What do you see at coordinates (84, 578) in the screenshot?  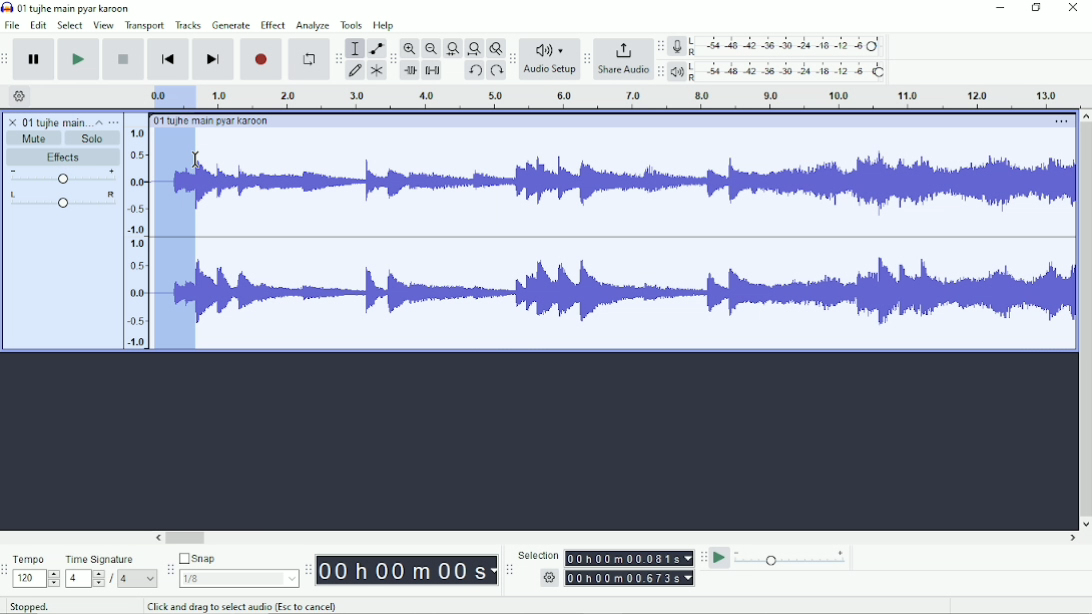 I see `Tempo Signature range` at bounding box center [84, 578].